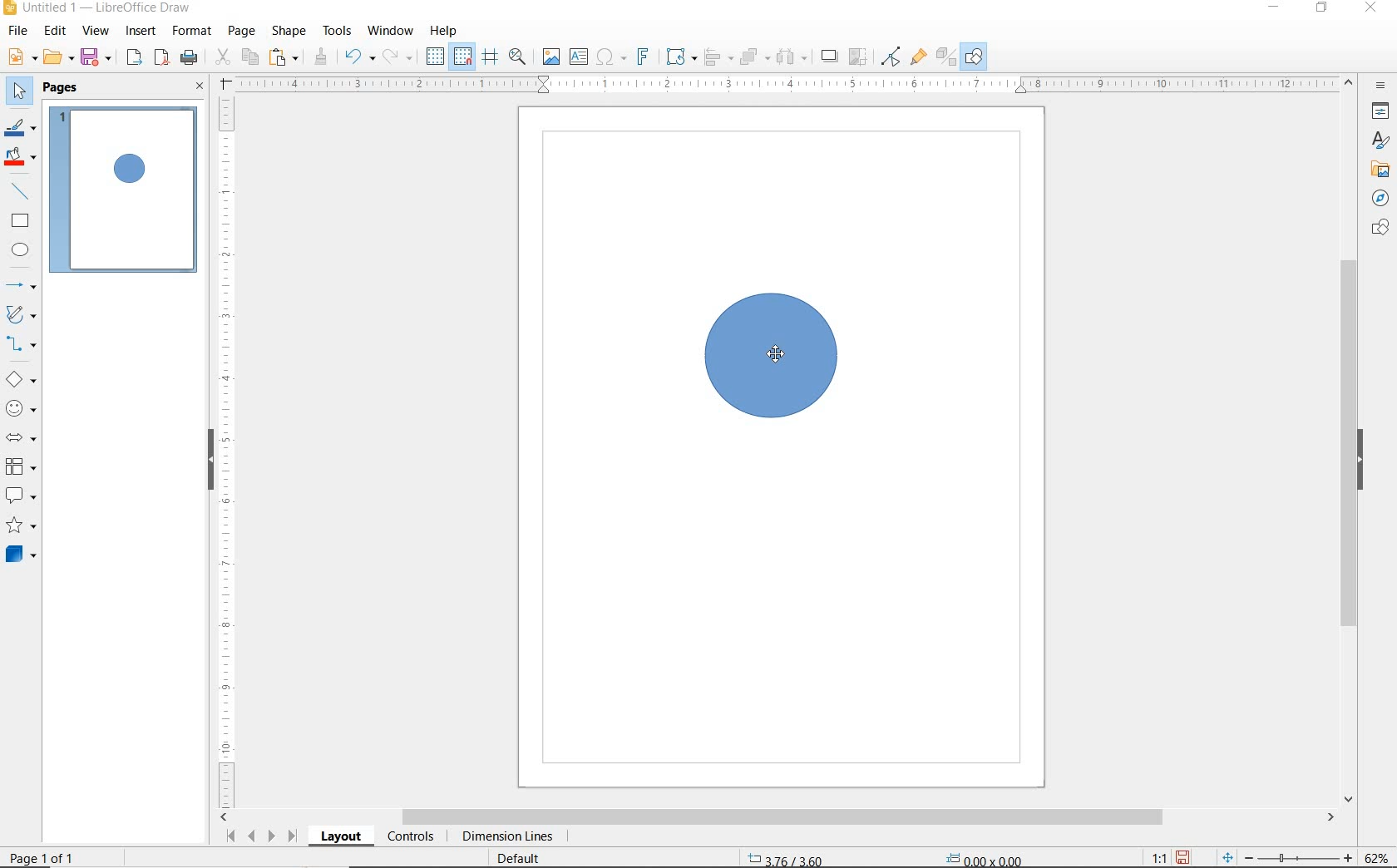 This screenshot has height=868, width=1397. Describe the element at coordinates (614, 57) in the screenshot. I see `INSERT SPECIAL CHARACTERS` at that location.